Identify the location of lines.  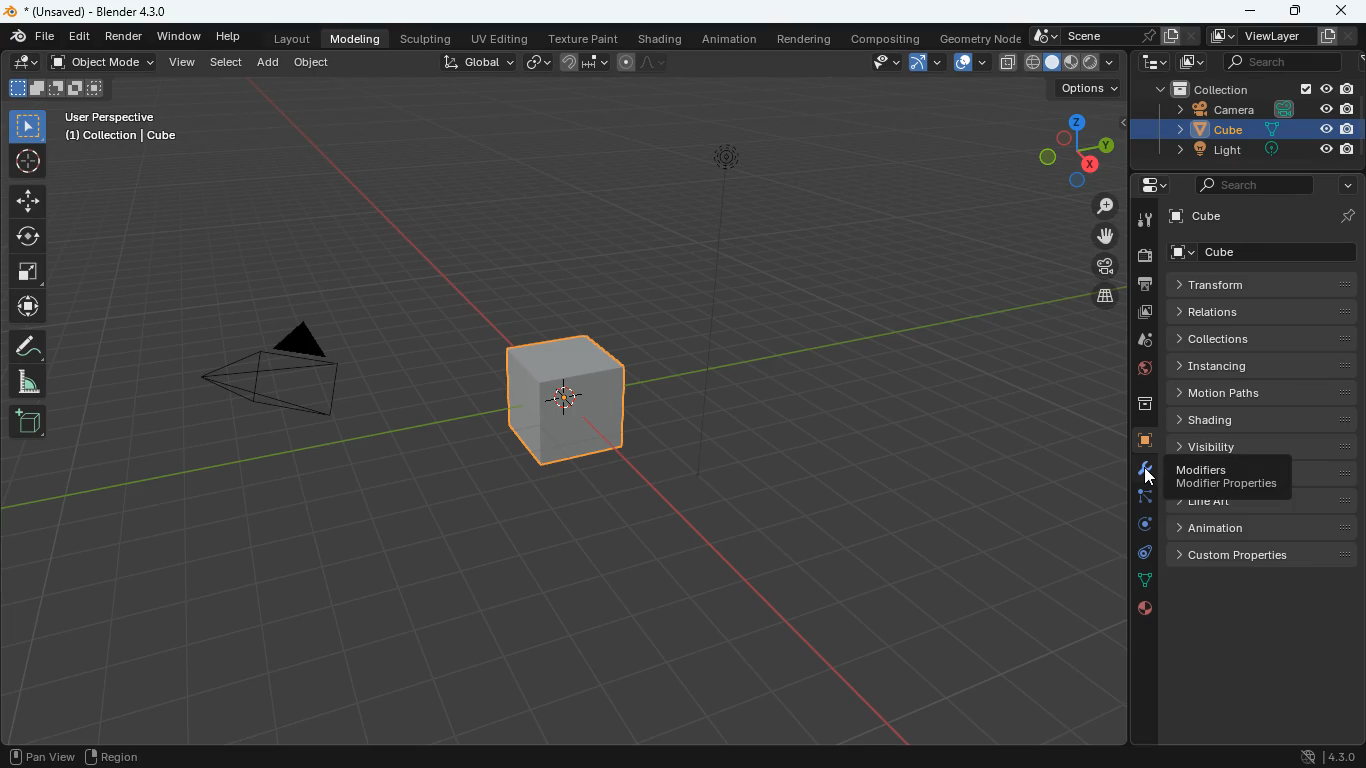
(1135, 580).